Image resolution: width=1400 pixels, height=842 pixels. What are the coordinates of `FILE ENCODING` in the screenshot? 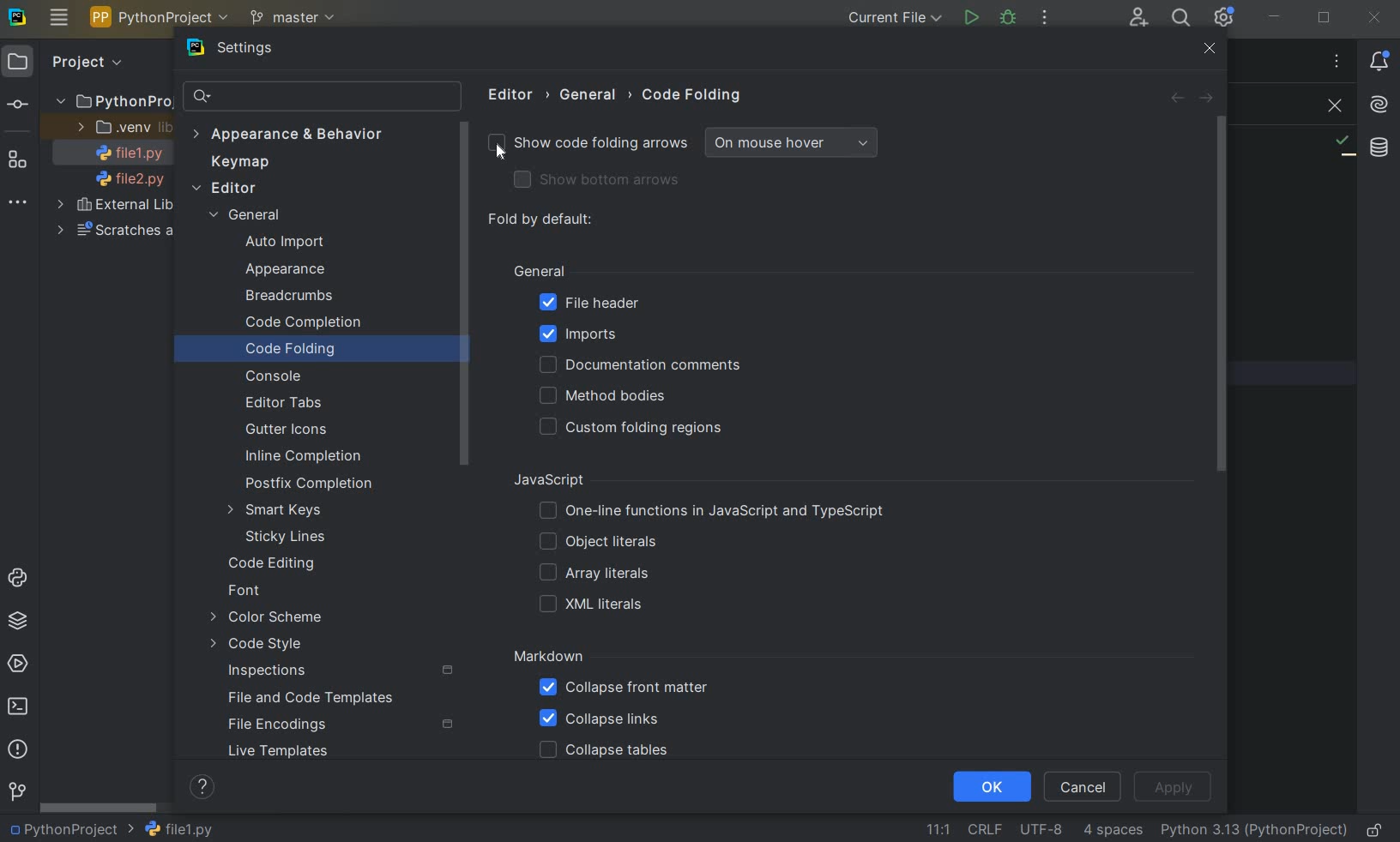 It's located at (1038, 829).